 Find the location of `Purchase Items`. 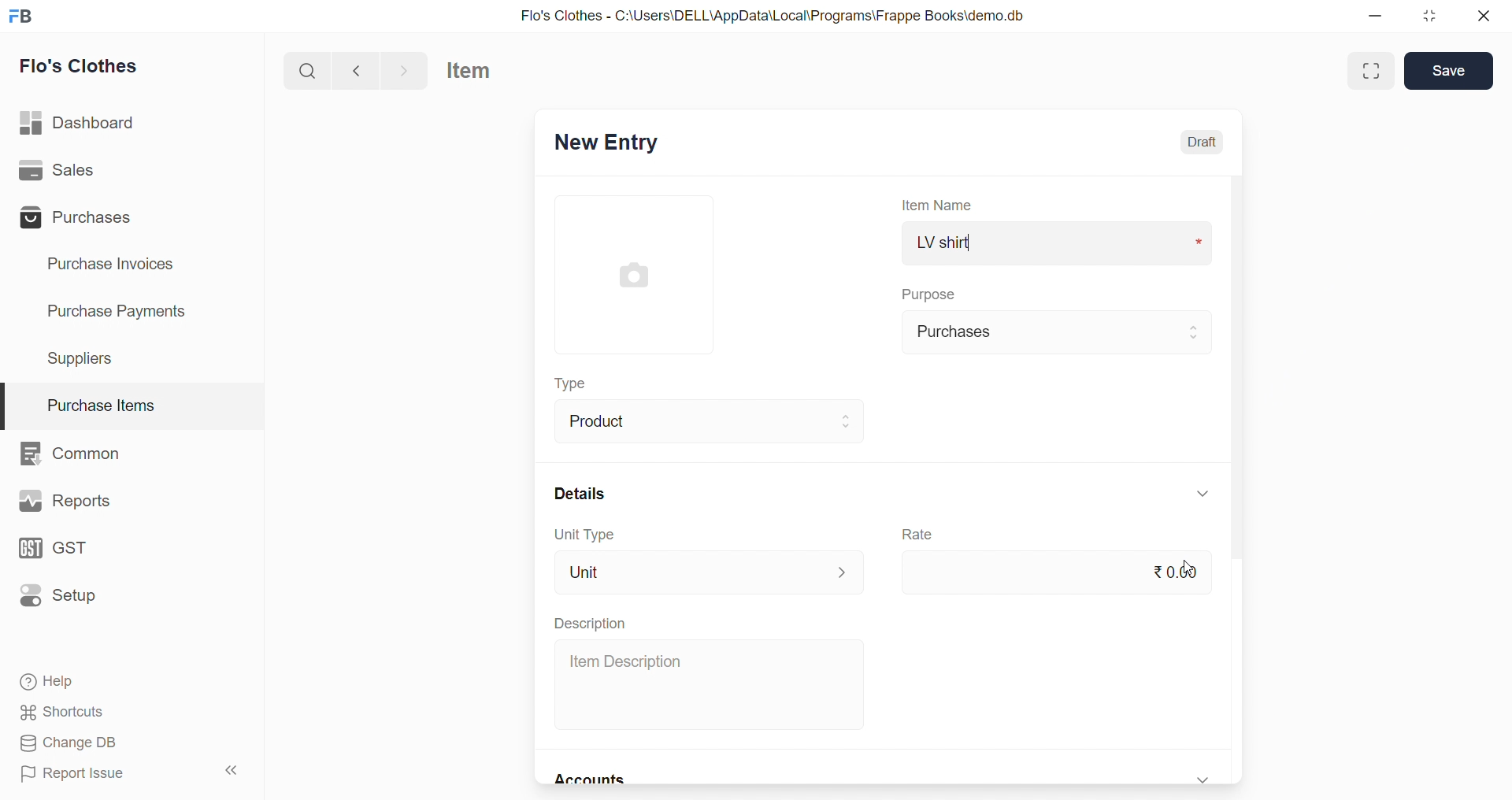

Purchase Items is located at coordinates (132, 401).